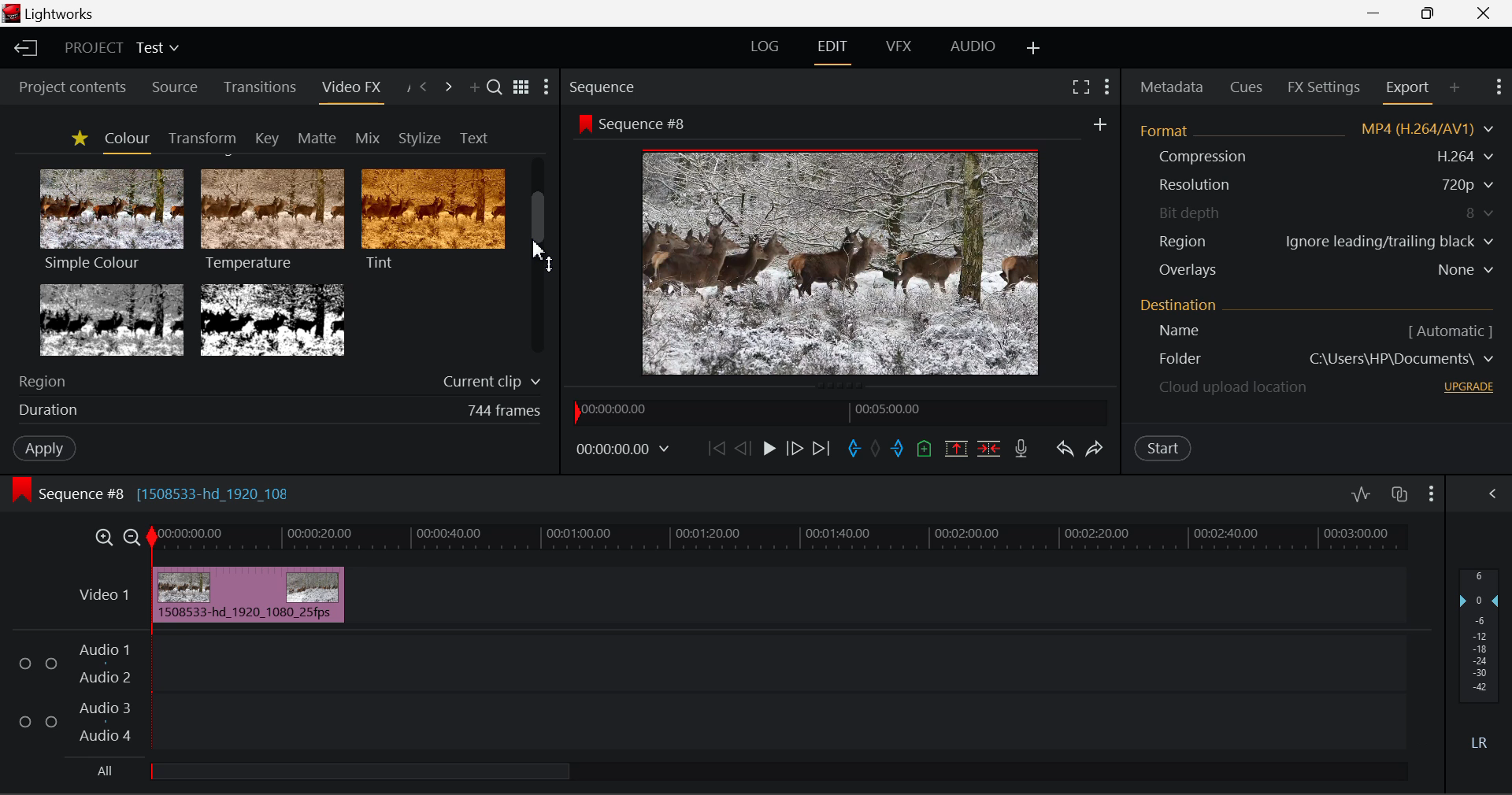 The height and width of the screenshot is (795, 1512). I want to click on 00:05:00.00, so click(891, 409).